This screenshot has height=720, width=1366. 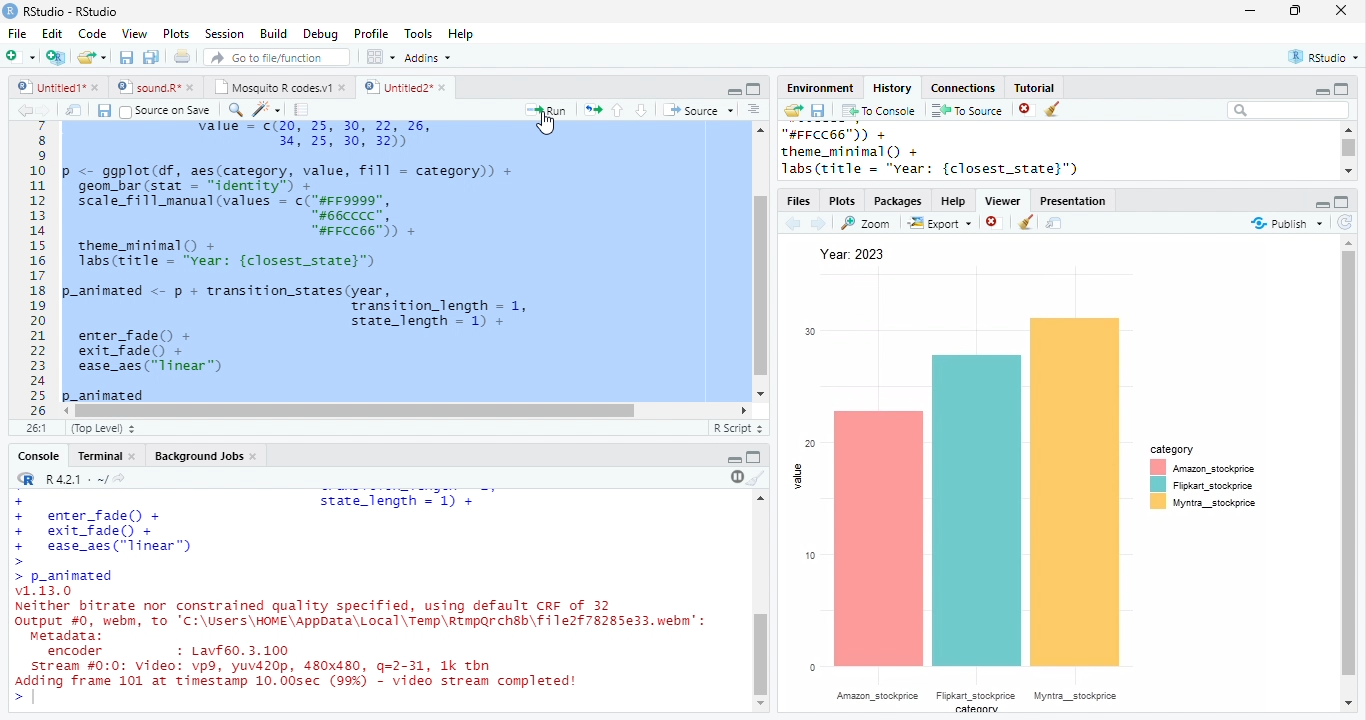 I want to click on Fipkart_stockprice, so click(x=1214, y=484).